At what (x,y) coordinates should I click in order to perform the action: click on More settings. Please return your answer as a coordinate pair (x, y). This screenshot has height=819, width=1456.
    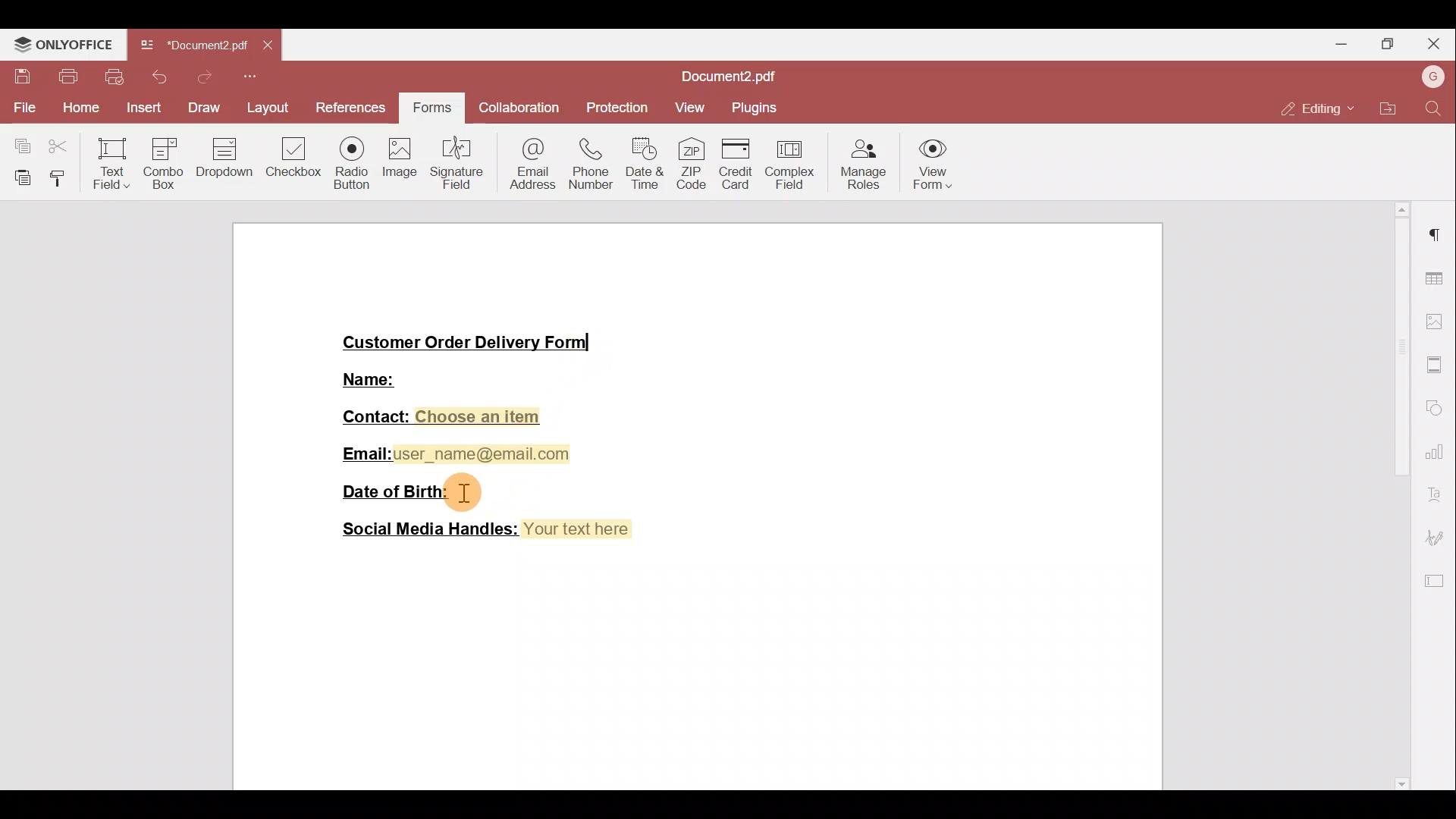
    Looking at the image, I should click on (1436, 365).